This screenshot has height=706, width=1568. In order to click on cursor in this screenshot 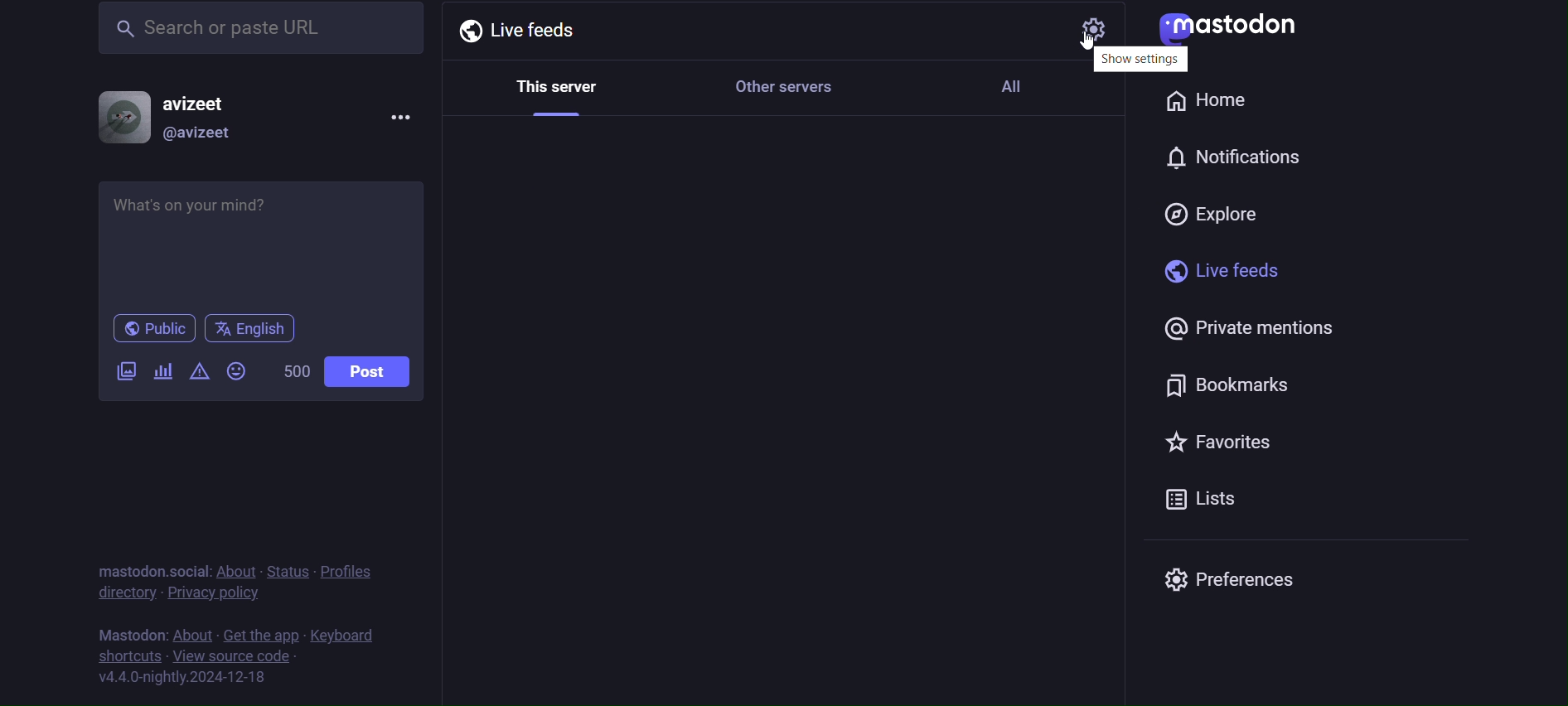, I will do `click(1094, 45)`.